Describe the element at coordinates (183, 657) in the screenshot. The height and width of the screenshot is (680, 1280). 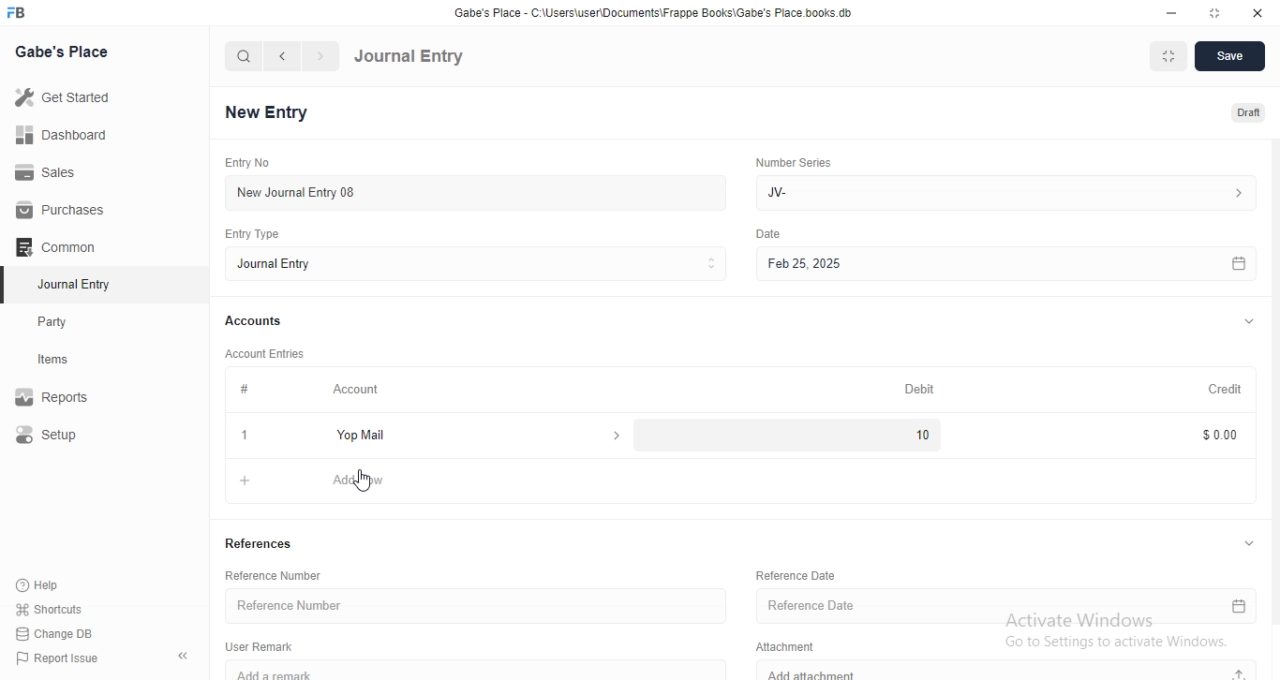
I see `collapse sidebar` at that location.